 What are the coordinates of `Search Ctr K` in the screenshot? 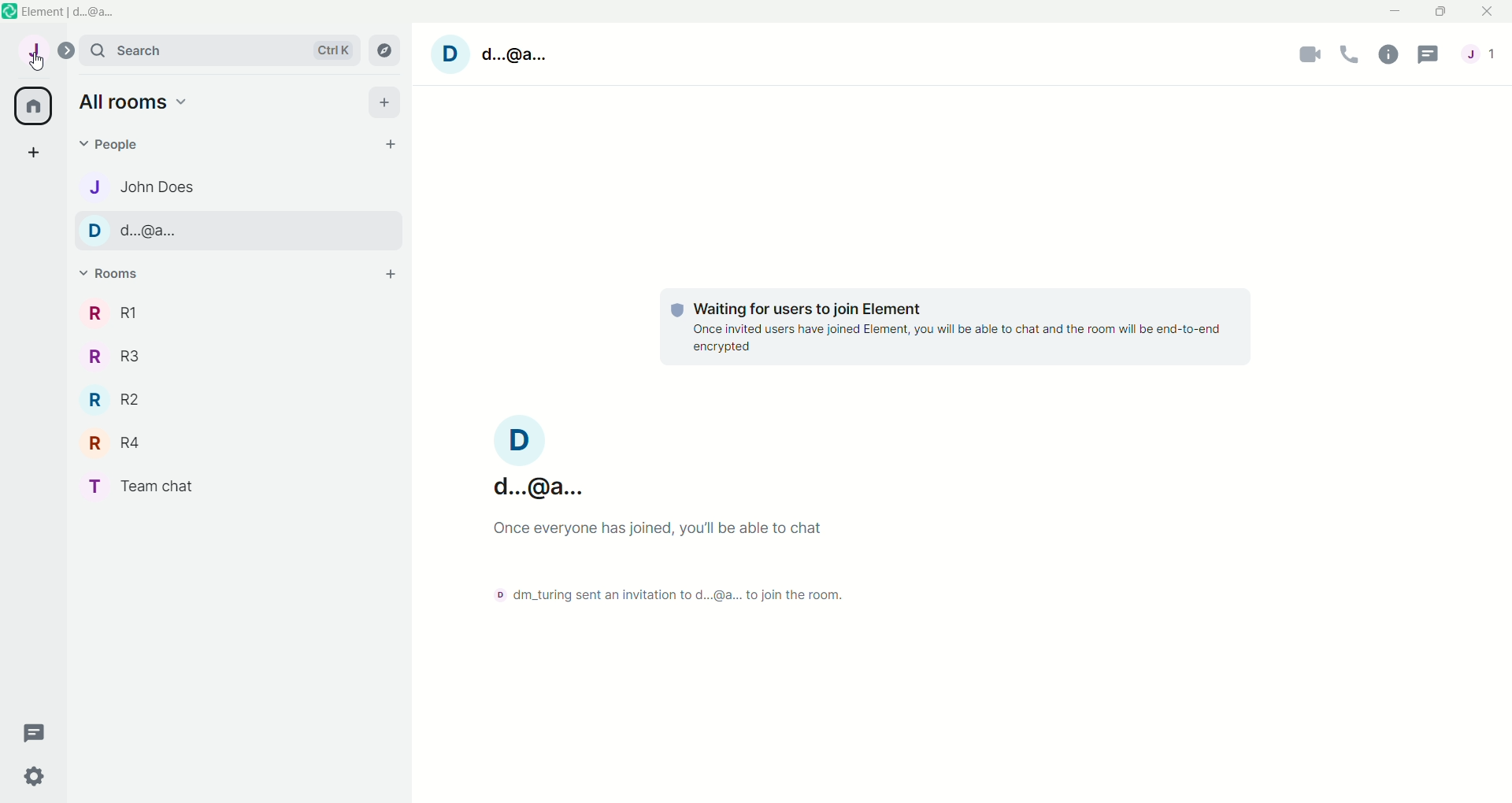 It's located at (221, 50).